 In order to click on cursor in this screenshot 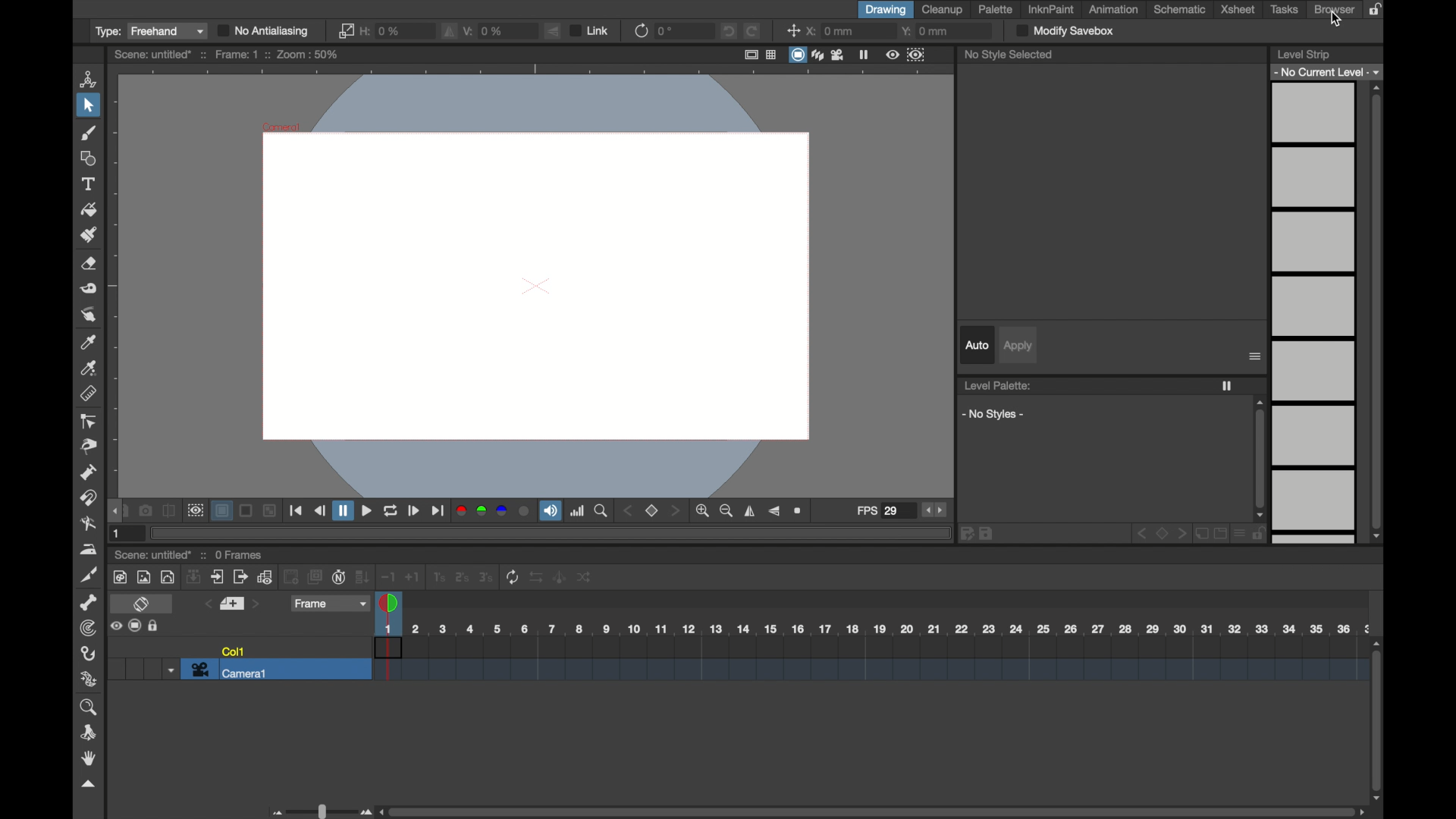, I will do `click(1336, 20)`.